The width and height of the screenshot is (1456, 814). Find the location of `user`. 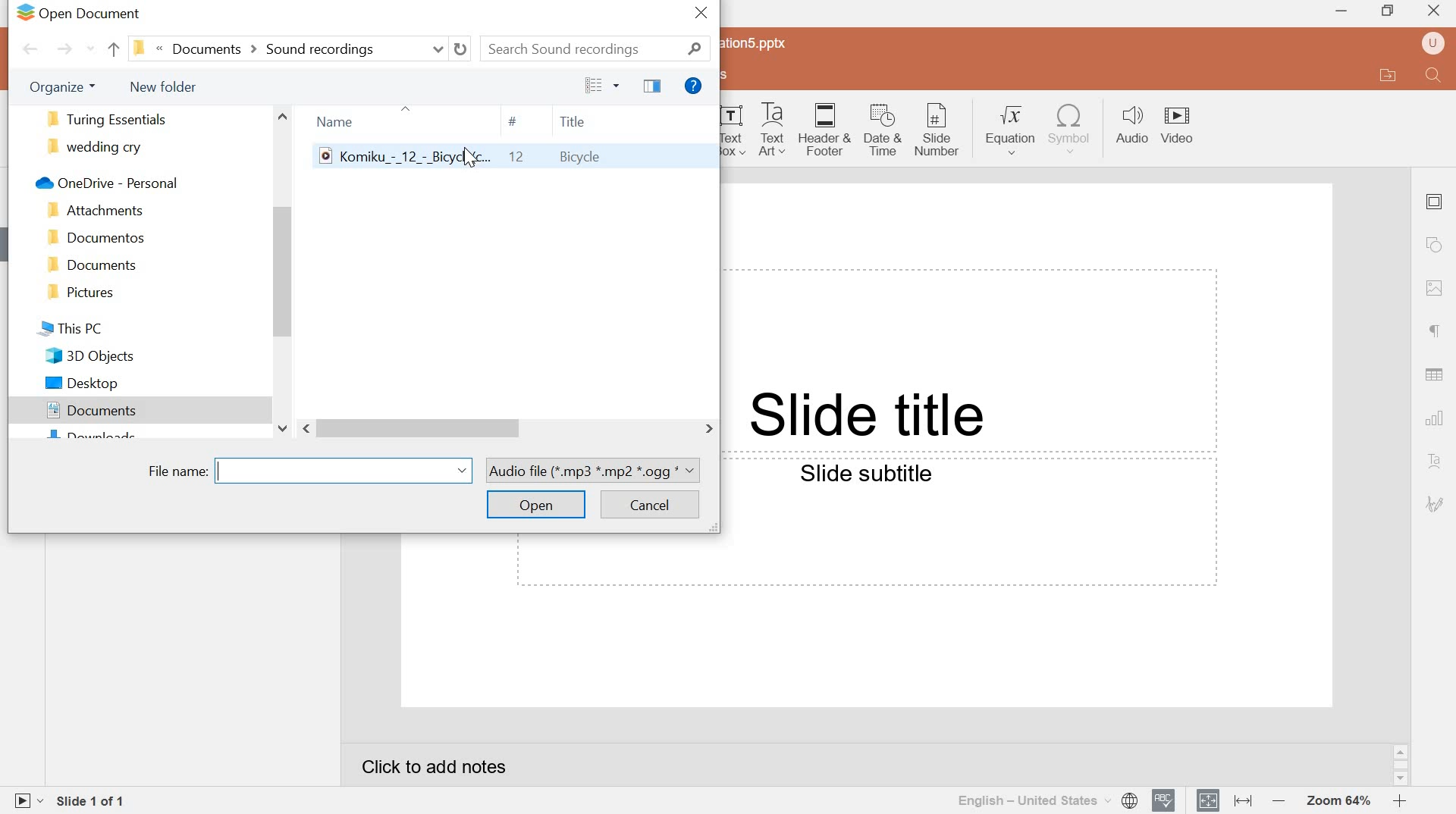

user is located at coordinates (1432, 43).